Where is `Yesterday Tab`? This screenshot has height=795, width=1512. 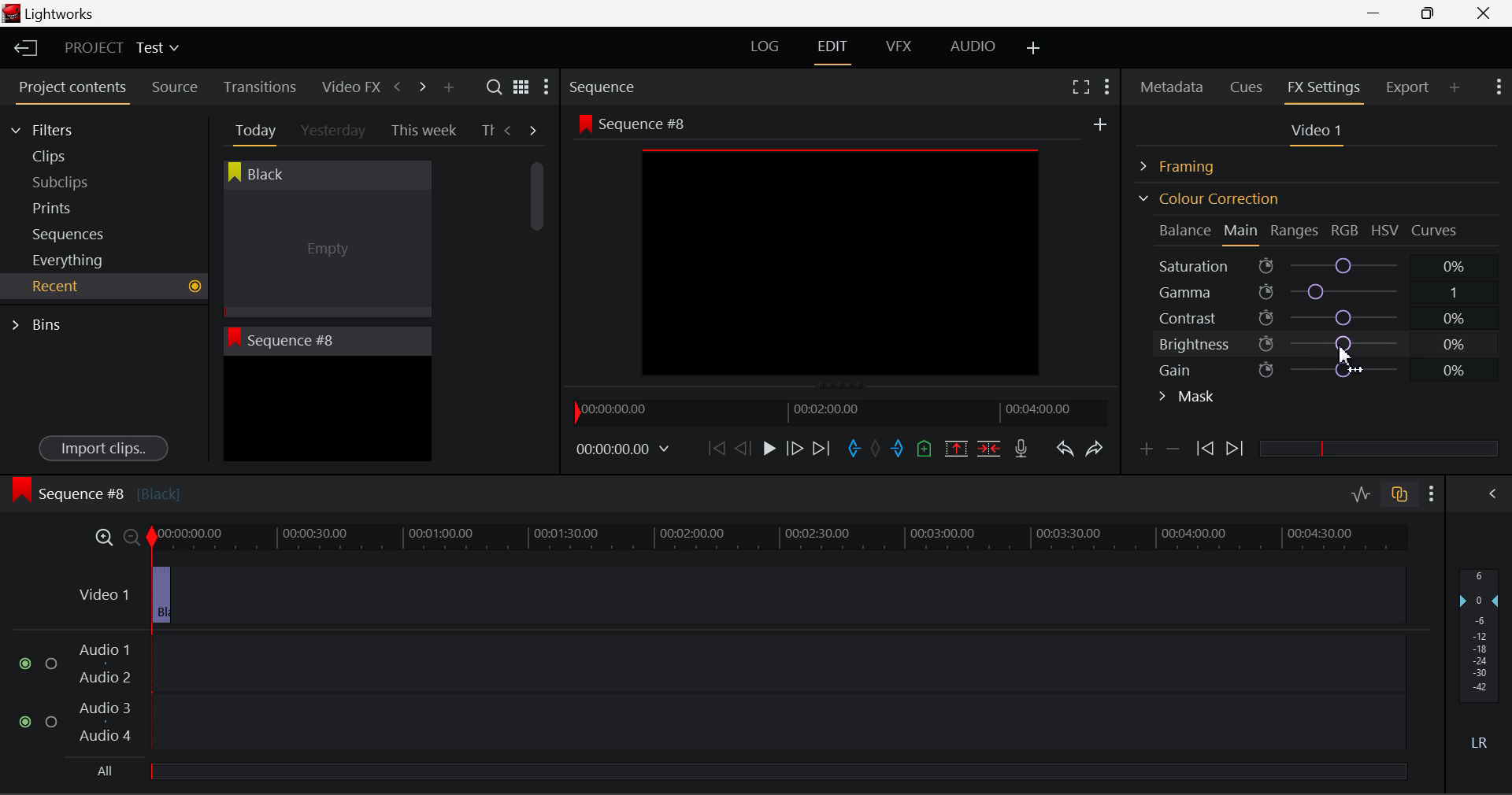 Yesterday Tab is located at coordinates (335, 131).